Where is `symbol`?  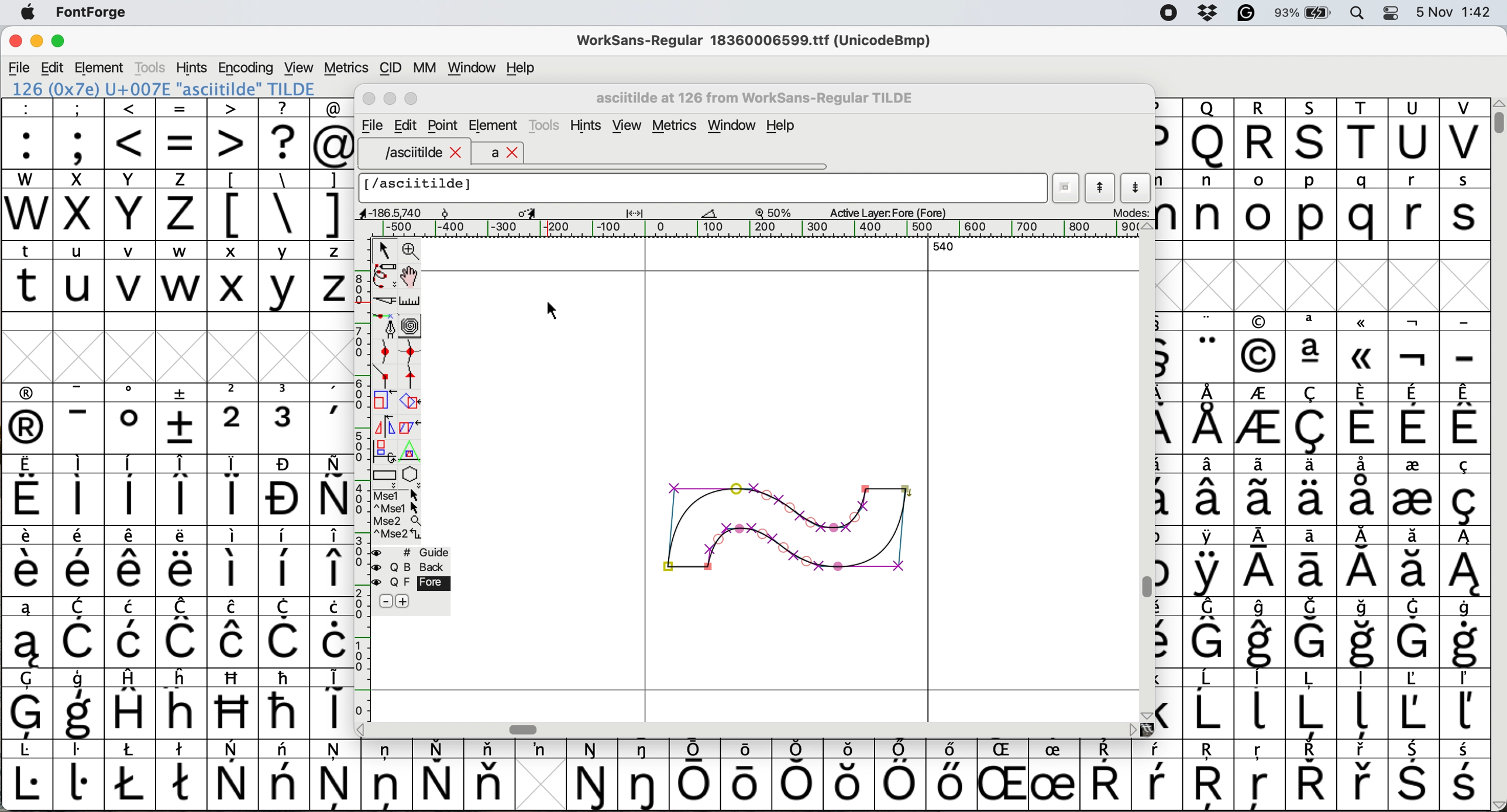 symbol is located at coordinates (1364, 776).